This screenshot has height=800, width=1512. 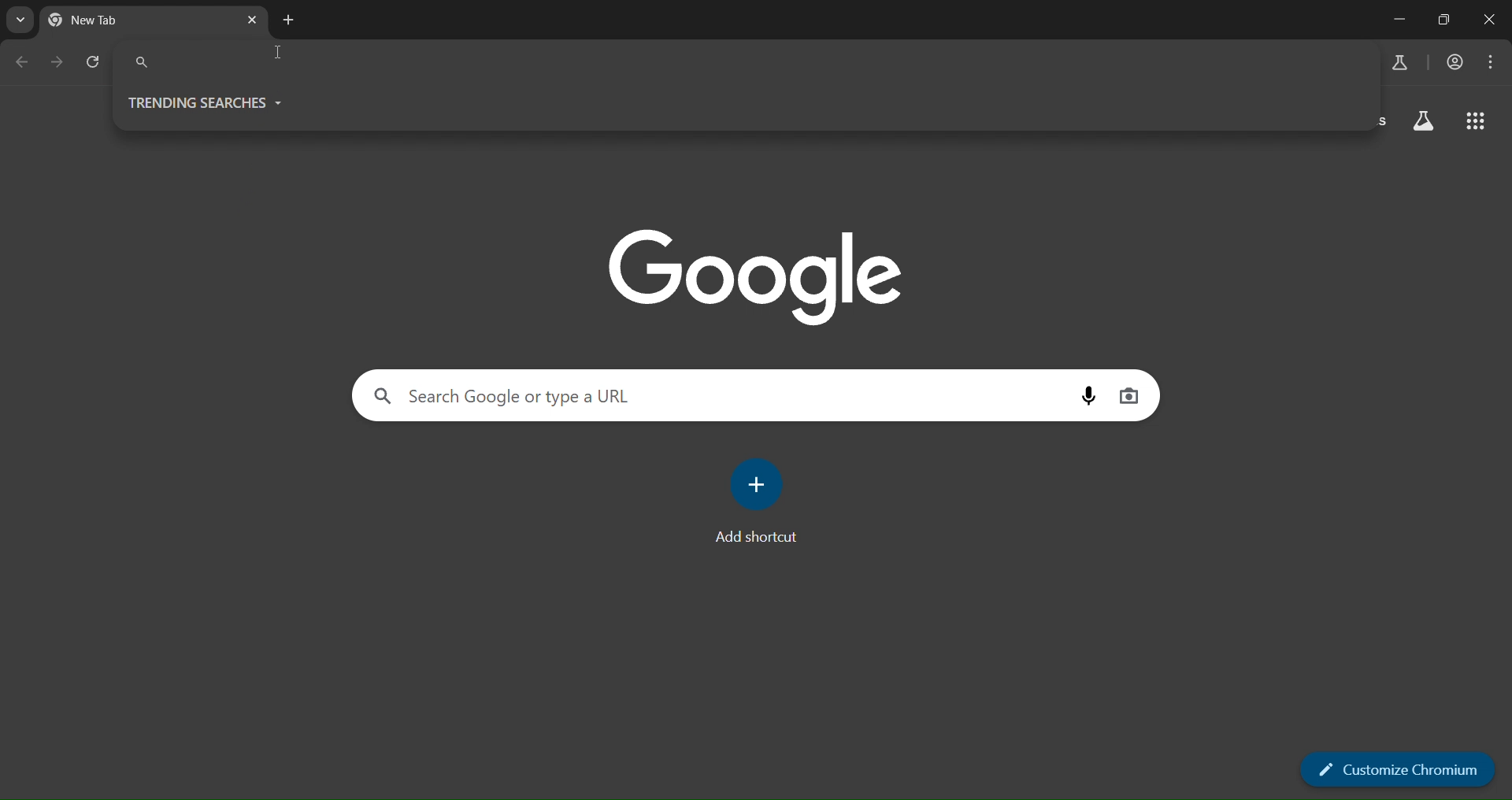 I want to click on search google or type a URL, so click(x=743, y=62).